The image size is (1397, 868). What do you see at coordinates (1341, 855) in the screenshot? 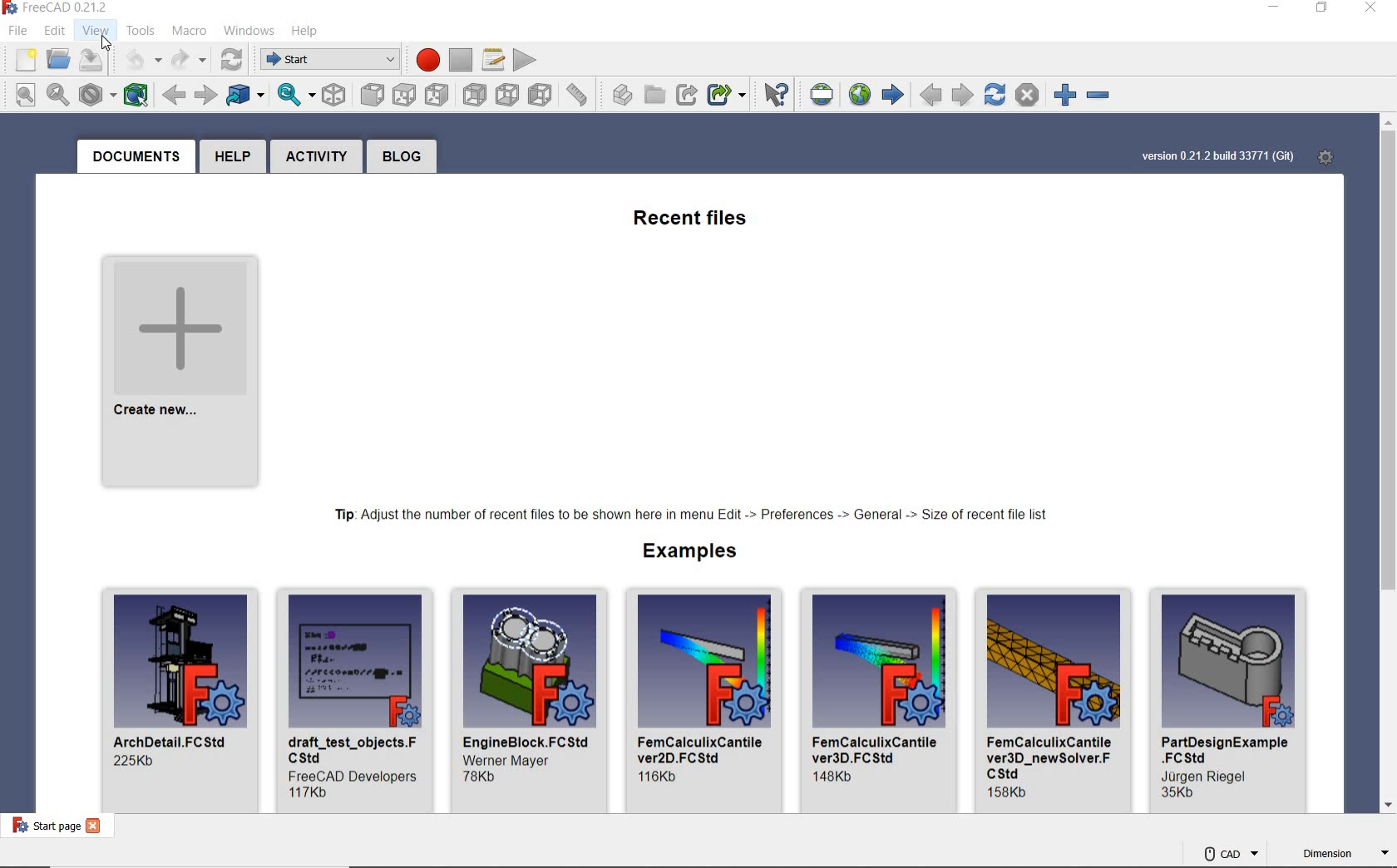
I see `dimension` at bounding box center [1341, 855].